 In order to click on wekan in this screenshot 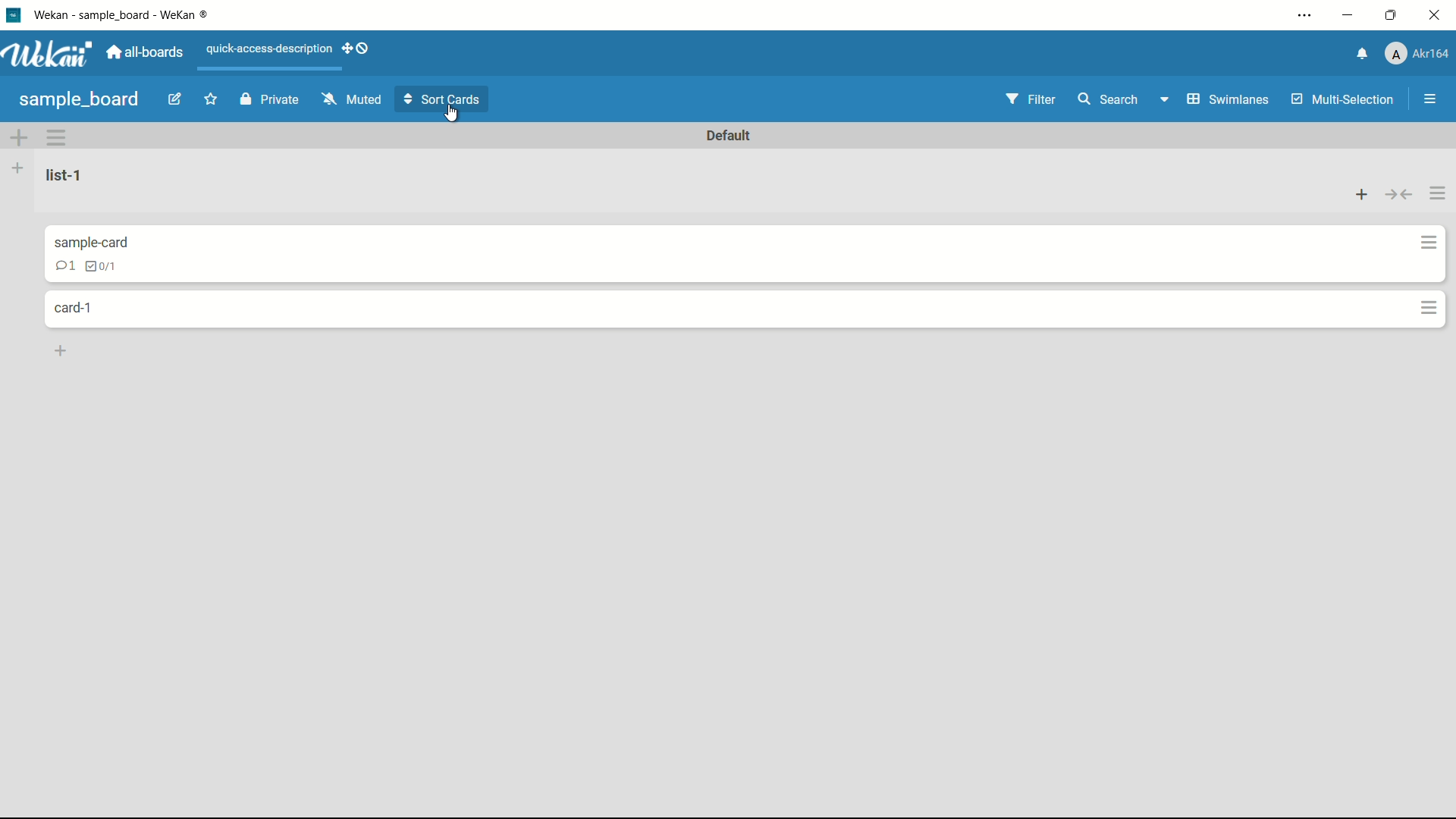, I will do `click(129, 16)`.